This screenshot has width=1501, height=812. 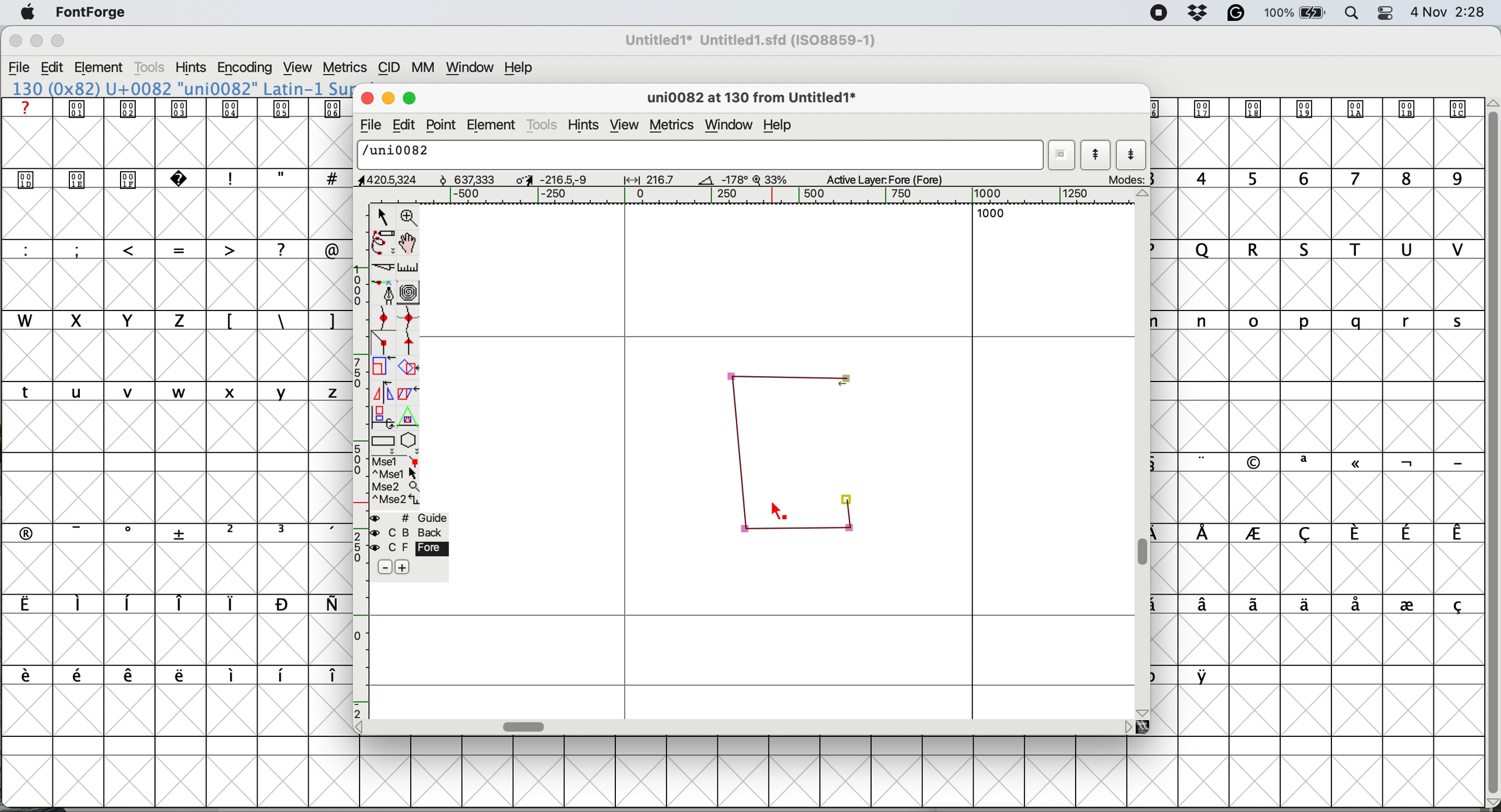 I want to click on stars and polygons, so click(x=410, y=443).